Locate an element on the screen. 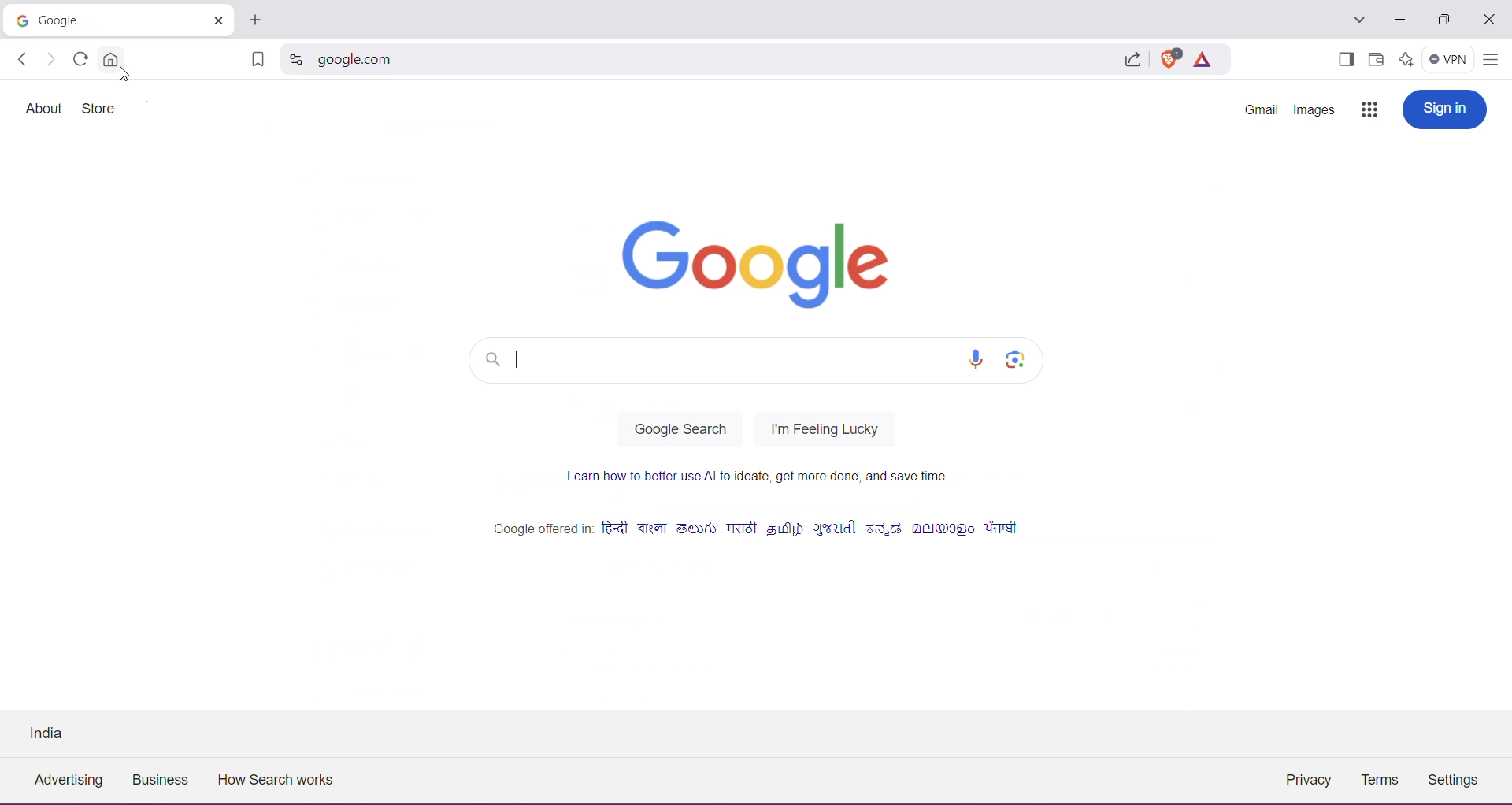 The height and width of the screenshot is (805, 1512). Search tabs is located at coordinates (1358, 20).